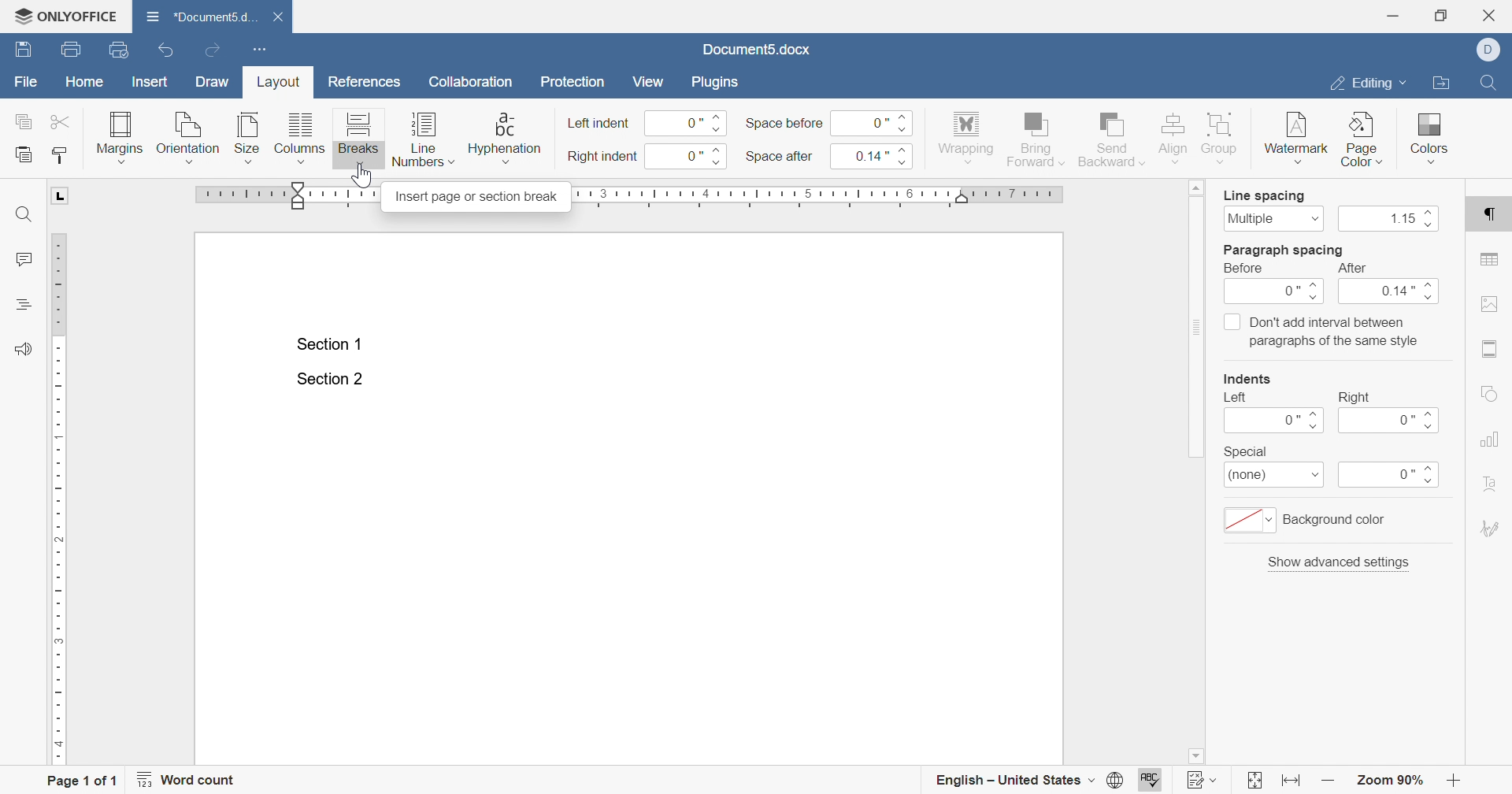 The width and height of the screenshot is (1512, 794). What do you see at coordinates (1491, 259) in the screenshot?
I see `table settings` at bounding box center [1491, 259].